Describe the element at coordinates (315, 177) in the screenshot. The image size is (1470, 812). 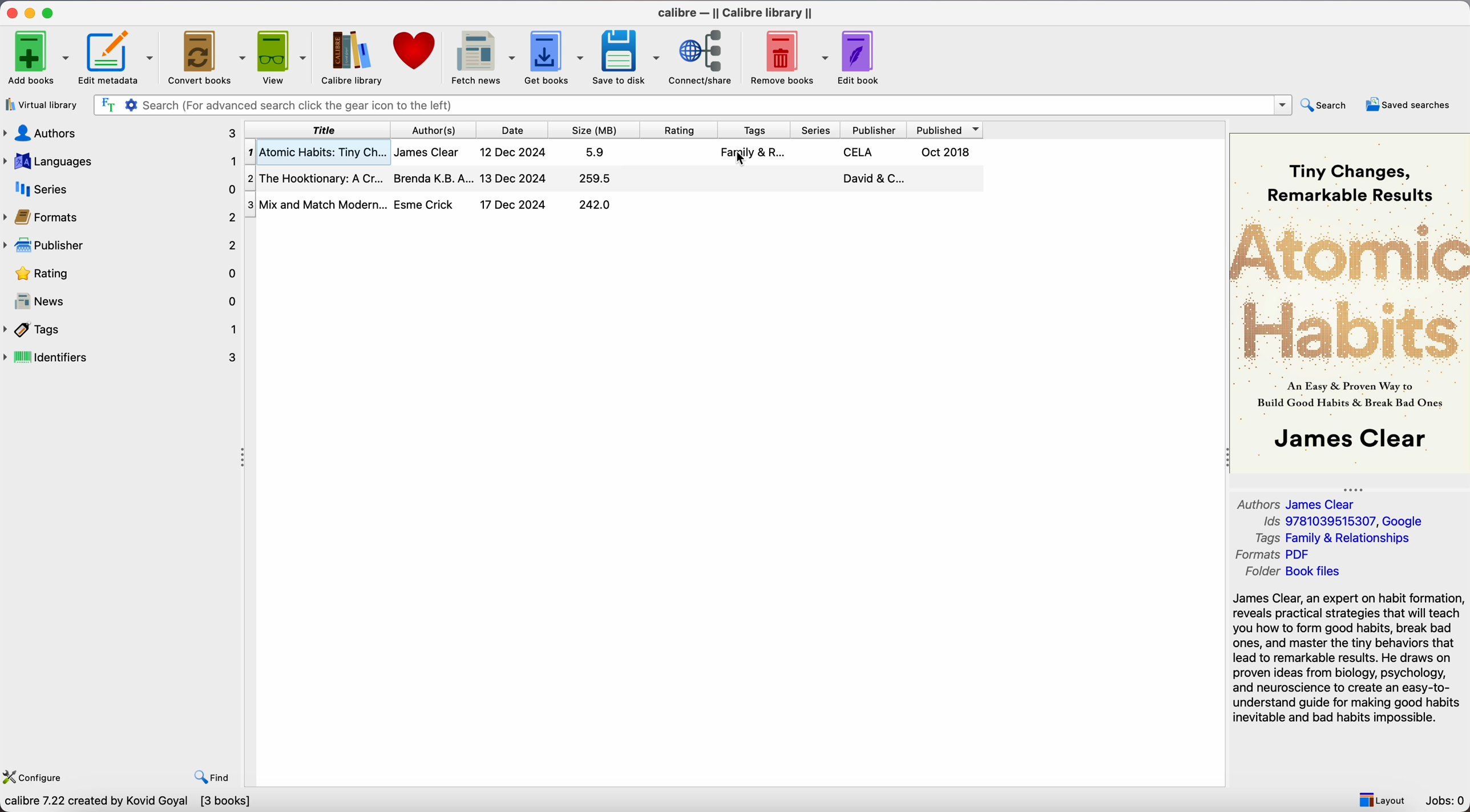
I see `The Hooktionary: A Cr...` at that location.